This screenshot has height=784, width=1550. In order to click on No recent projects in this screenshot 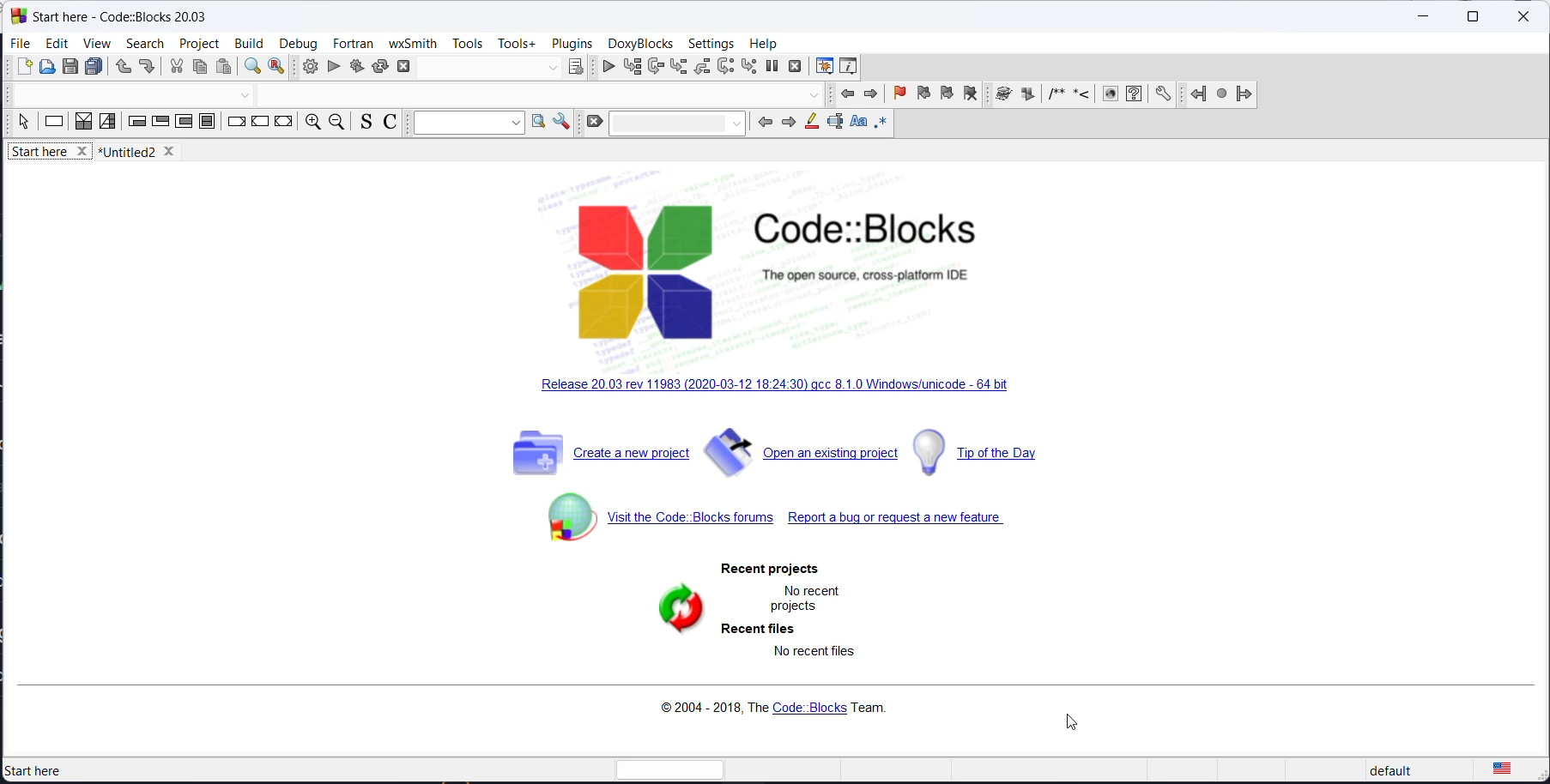, I will do `click(803, 598)`.